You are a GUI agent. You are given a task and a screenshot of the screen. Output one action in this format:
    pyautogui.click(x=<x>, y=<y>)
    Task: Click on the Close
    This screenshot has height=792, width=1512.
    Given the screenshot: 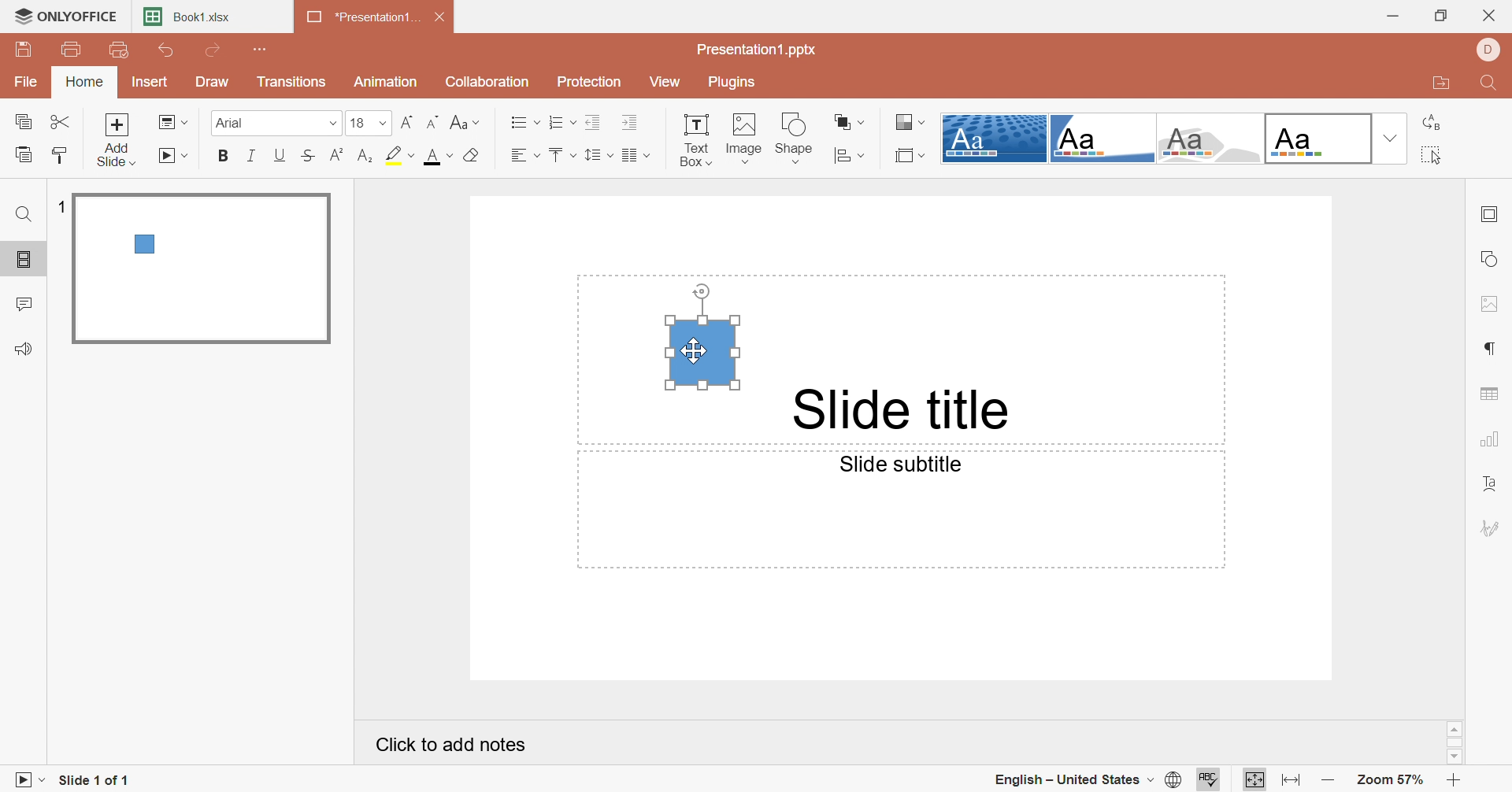 What is the action you would take?
    pyautogui.click(x=442, y=17)
    